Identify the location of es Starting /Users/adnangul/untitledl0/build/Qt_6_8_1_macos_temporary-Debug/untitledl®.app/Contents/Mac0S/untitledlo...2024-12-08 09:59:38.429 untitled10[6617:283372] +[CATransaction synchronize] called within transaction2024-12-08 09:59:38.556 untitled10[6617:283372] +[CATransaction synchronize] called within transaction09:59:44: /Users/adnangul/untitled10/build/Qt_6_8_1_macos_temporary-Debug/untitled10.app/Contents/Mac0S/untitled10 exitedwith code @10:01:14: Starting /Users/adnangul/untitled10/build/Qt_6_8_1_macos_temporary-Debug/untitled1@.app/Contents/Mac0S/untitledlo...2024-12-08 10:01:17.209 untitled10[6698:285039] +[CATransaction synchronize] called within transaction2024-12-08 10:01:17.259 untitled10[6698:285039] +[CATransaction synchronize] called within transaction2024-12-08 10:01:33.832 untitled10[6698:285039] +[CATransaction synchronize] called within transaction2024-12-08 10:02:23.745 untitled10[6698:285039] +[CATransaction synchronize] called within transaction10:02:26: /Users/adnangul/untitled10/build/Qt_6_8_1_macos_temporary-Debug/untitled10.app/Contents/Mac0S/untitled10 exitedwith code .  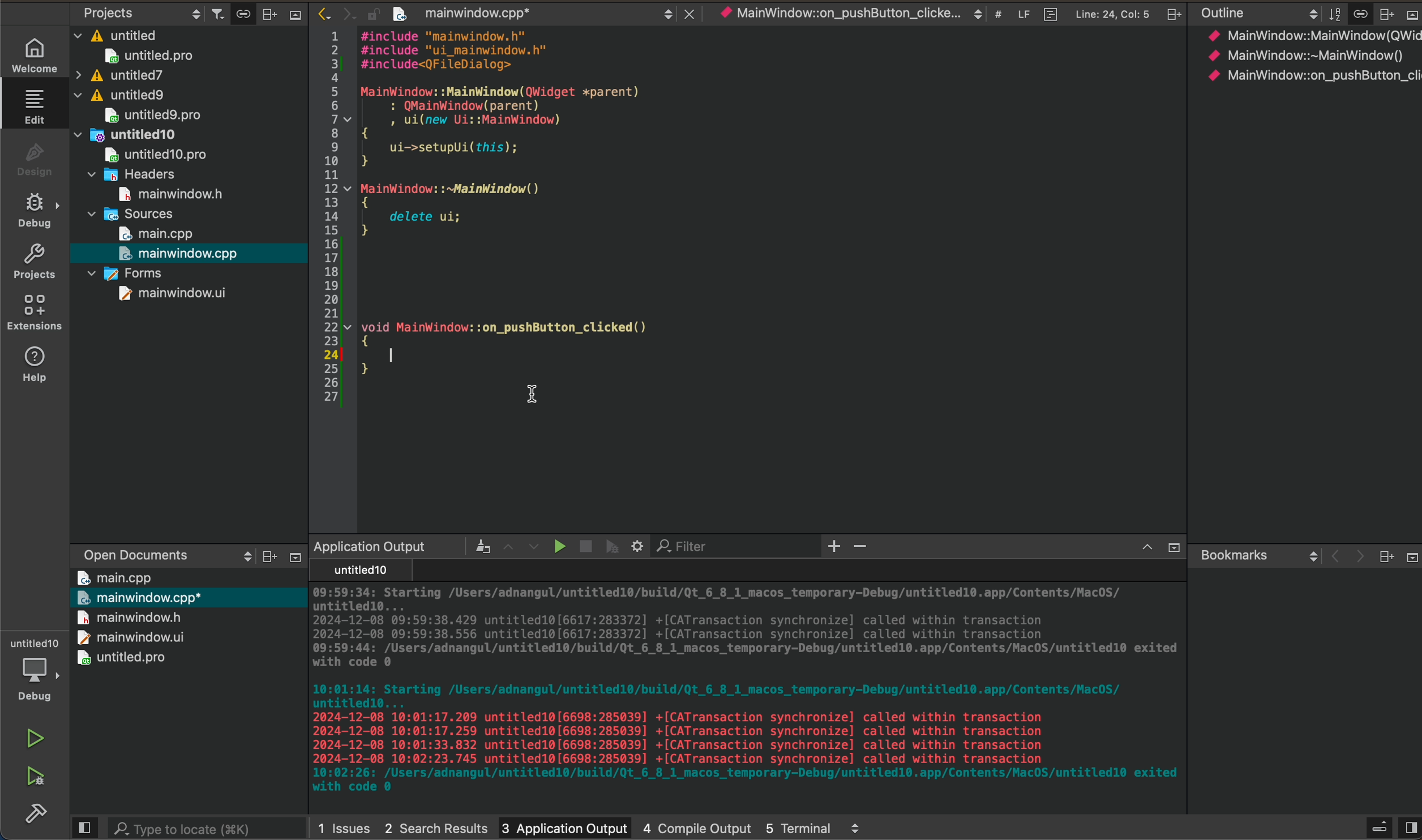
(740, 693).